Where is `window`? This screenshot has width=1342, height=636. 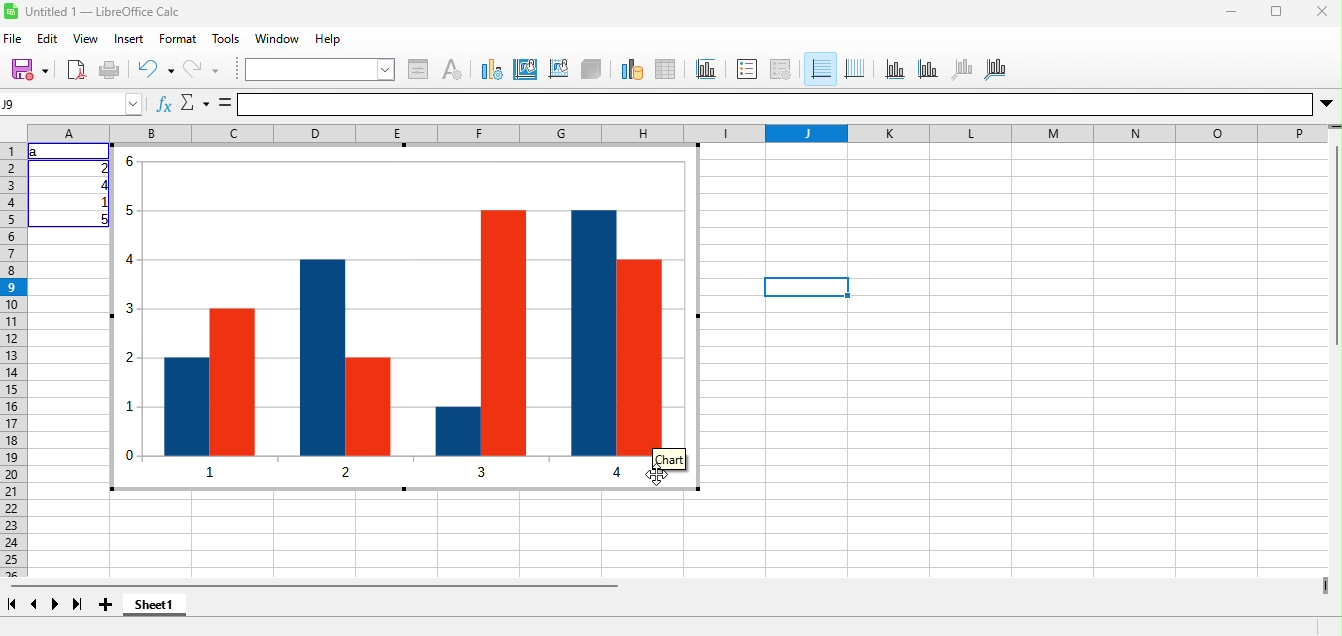 window is located at coordinates (277, 40).